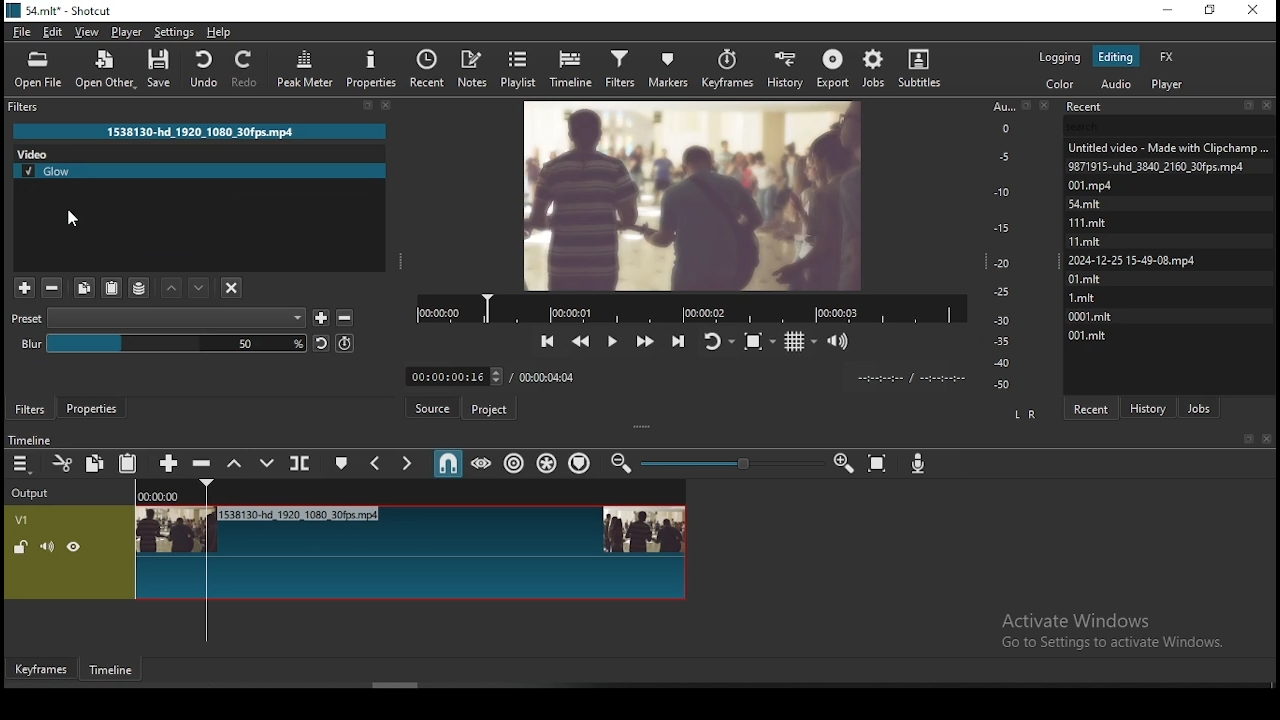  I want to click on Filter, so click(207, 107).